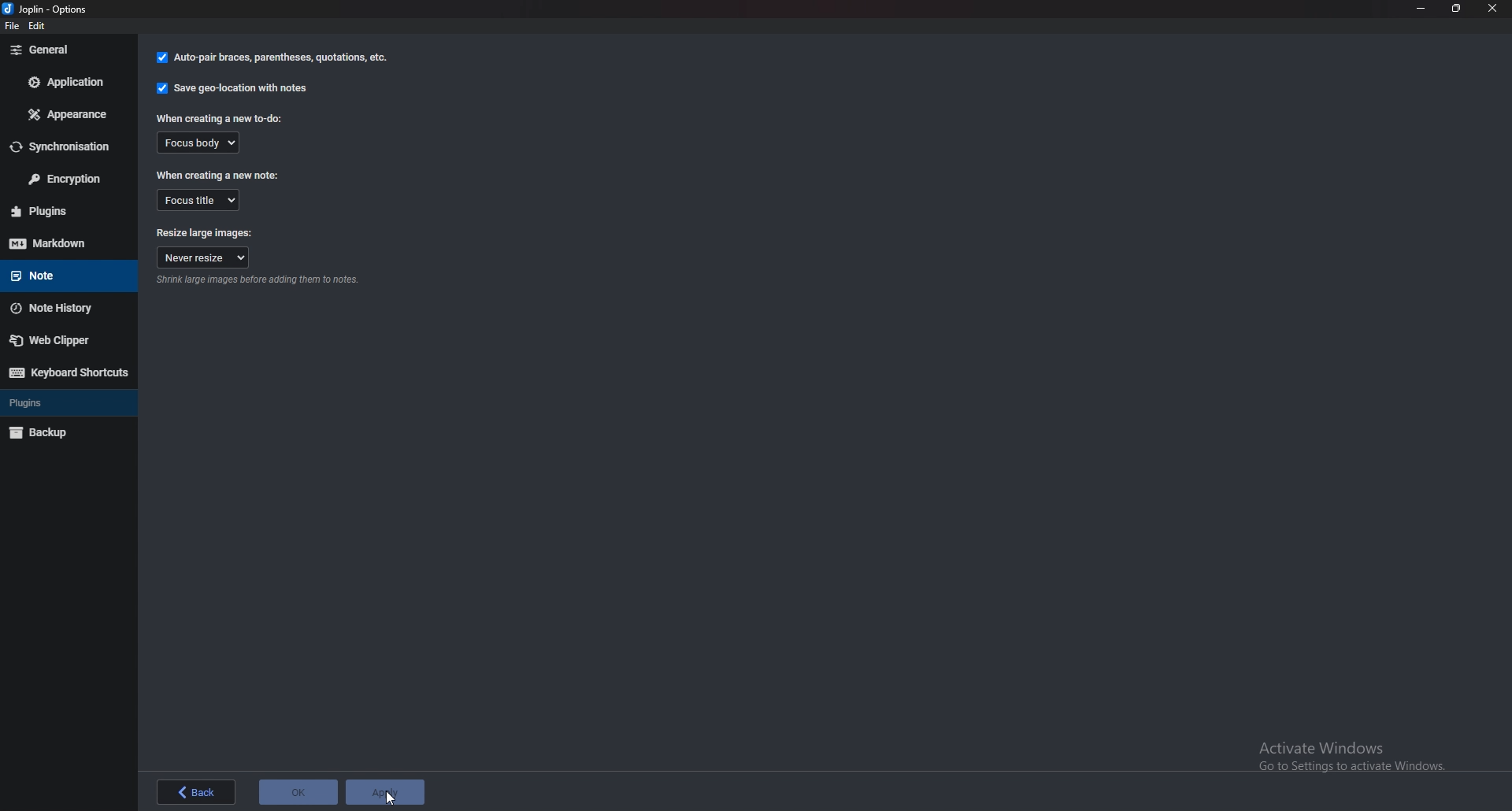  Describe the element at coordinates (43, 28) in the screenshot. I see `edit` at that location.